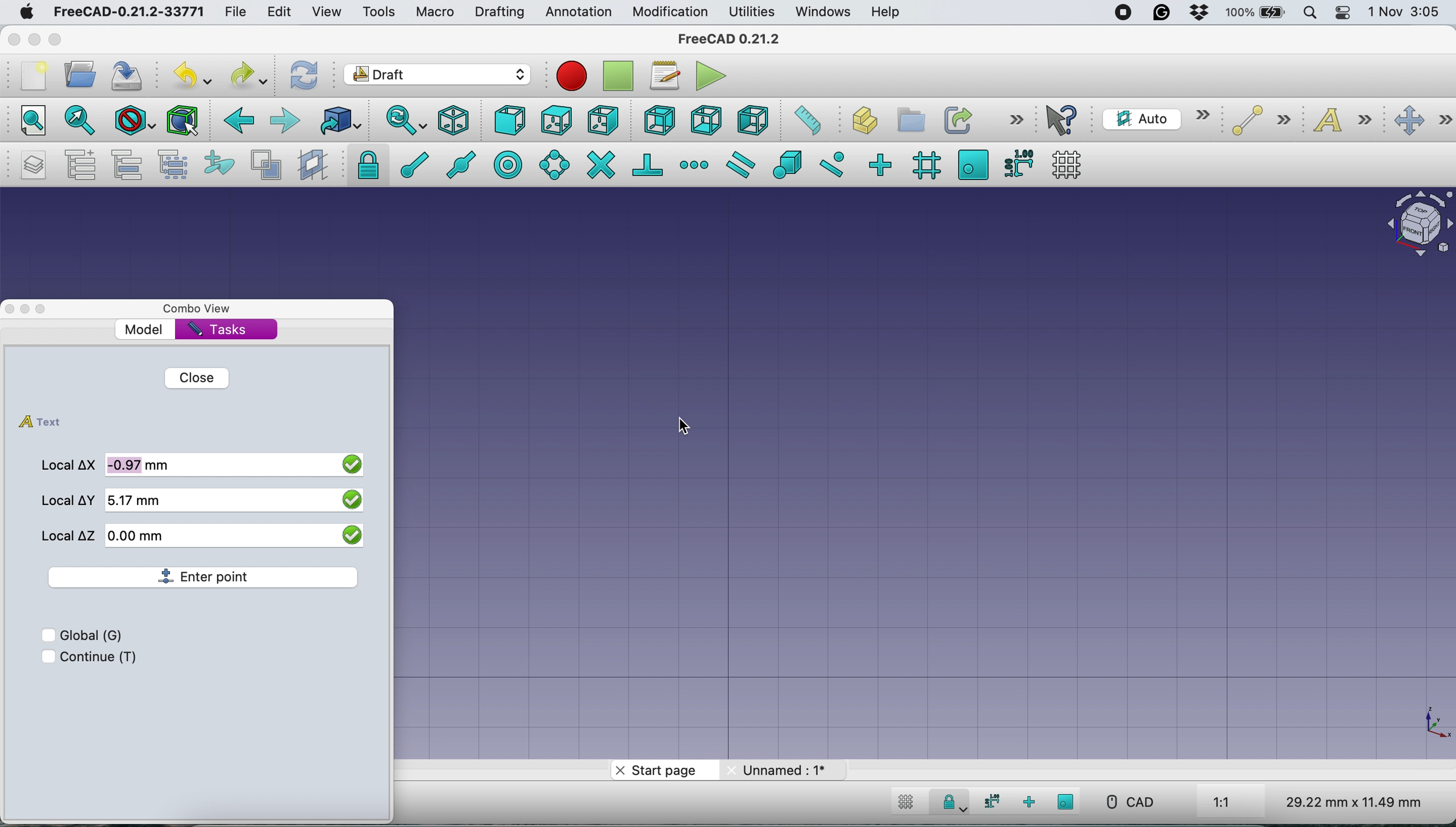  Describe the element at coordinates (432, 11) in the screenshot. I see `macro` at that location.